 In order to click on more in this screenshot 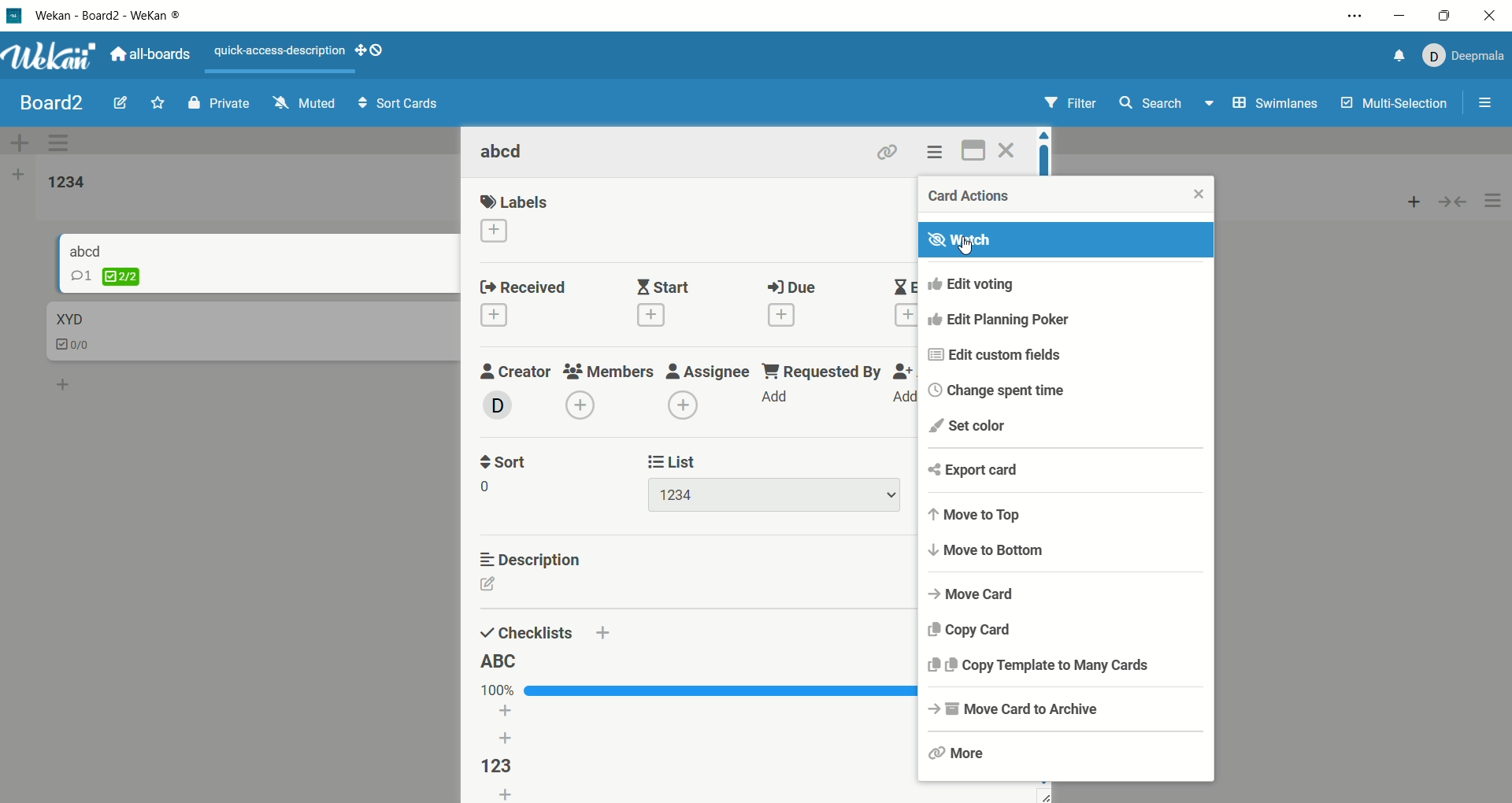, I will do `click(1065, 753)`.